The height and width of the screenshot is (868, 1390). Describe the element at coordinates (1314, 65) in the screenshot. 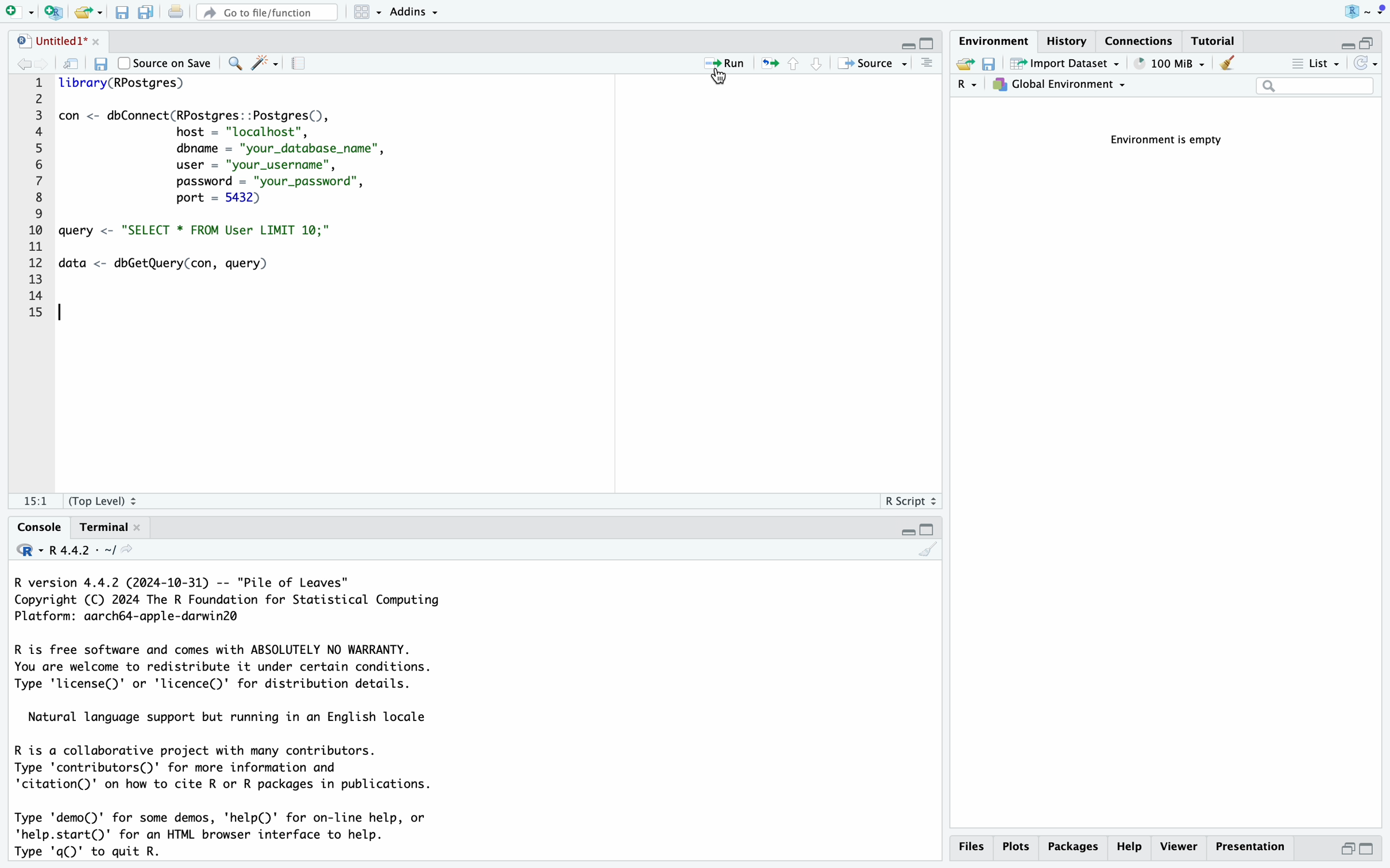

I see `list` at that location.